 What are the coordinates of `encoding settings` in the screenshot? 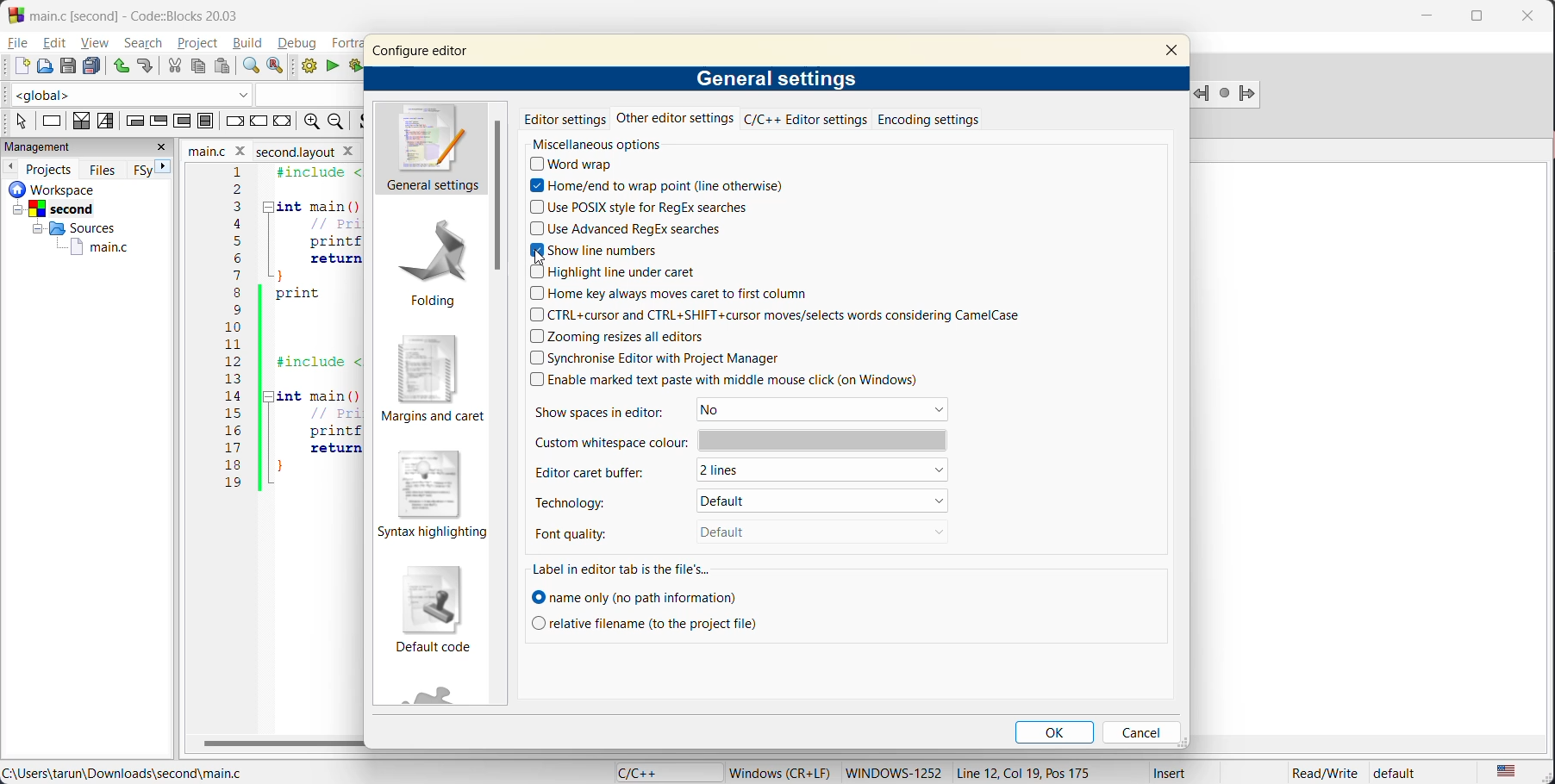 It's located at (927, 121).